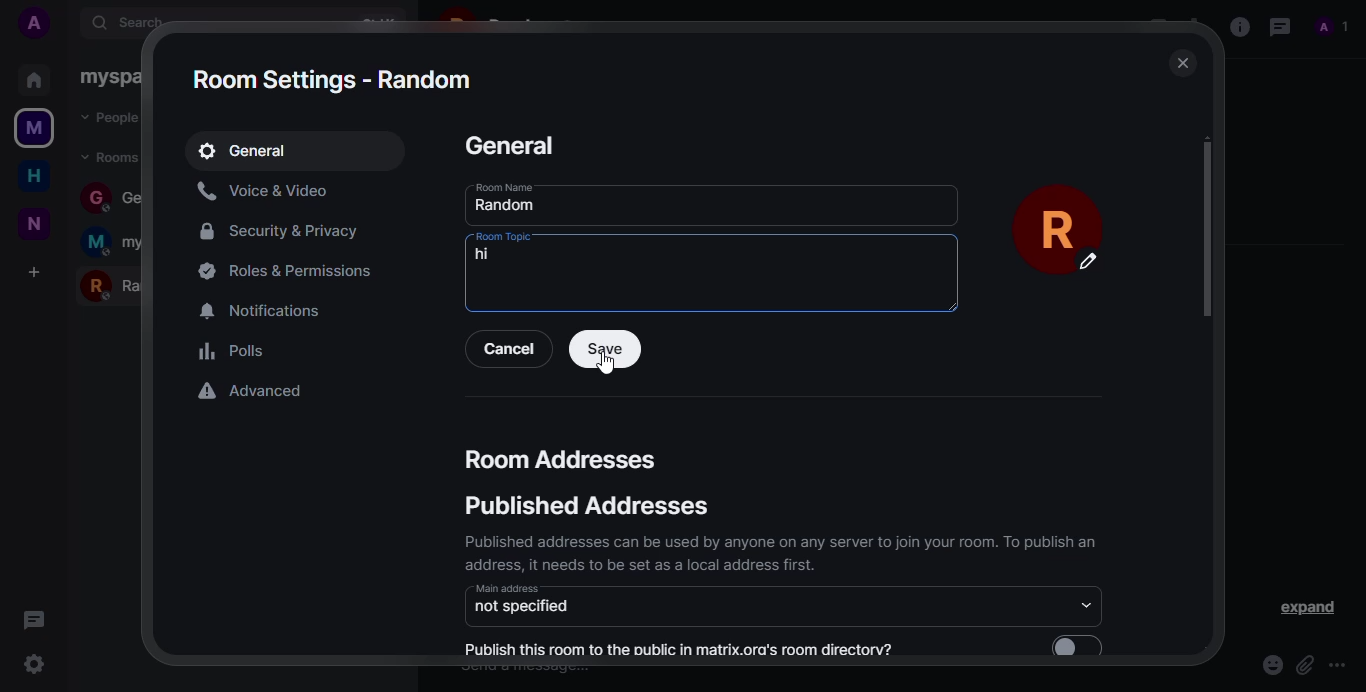 Image resolution: width=1366 pixels, height=692 pixels. I want to click on cursor, so click(606, 366).